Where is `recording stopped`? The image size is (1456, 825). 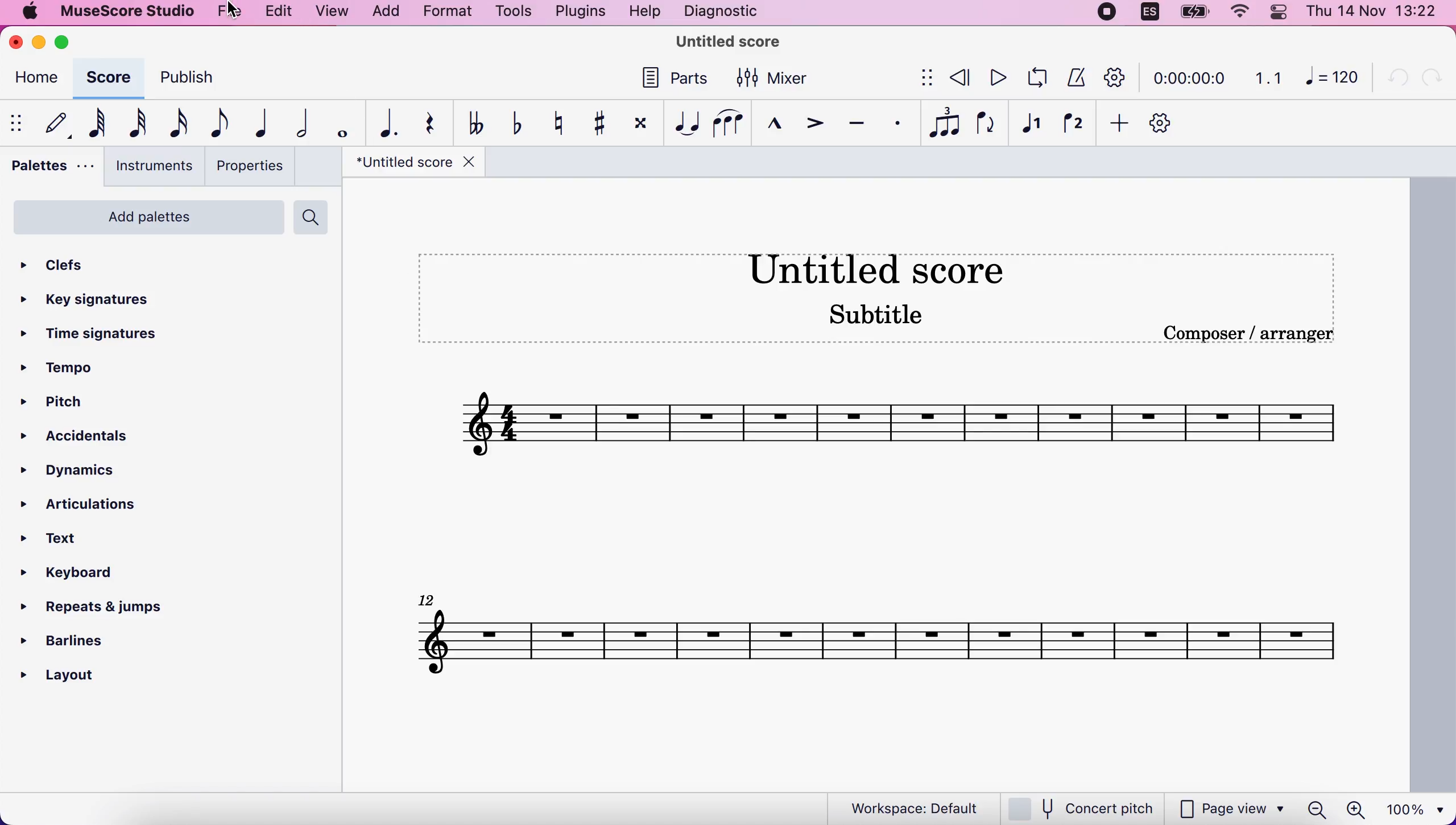
recording stopped is located at coordinates (1103, 14).